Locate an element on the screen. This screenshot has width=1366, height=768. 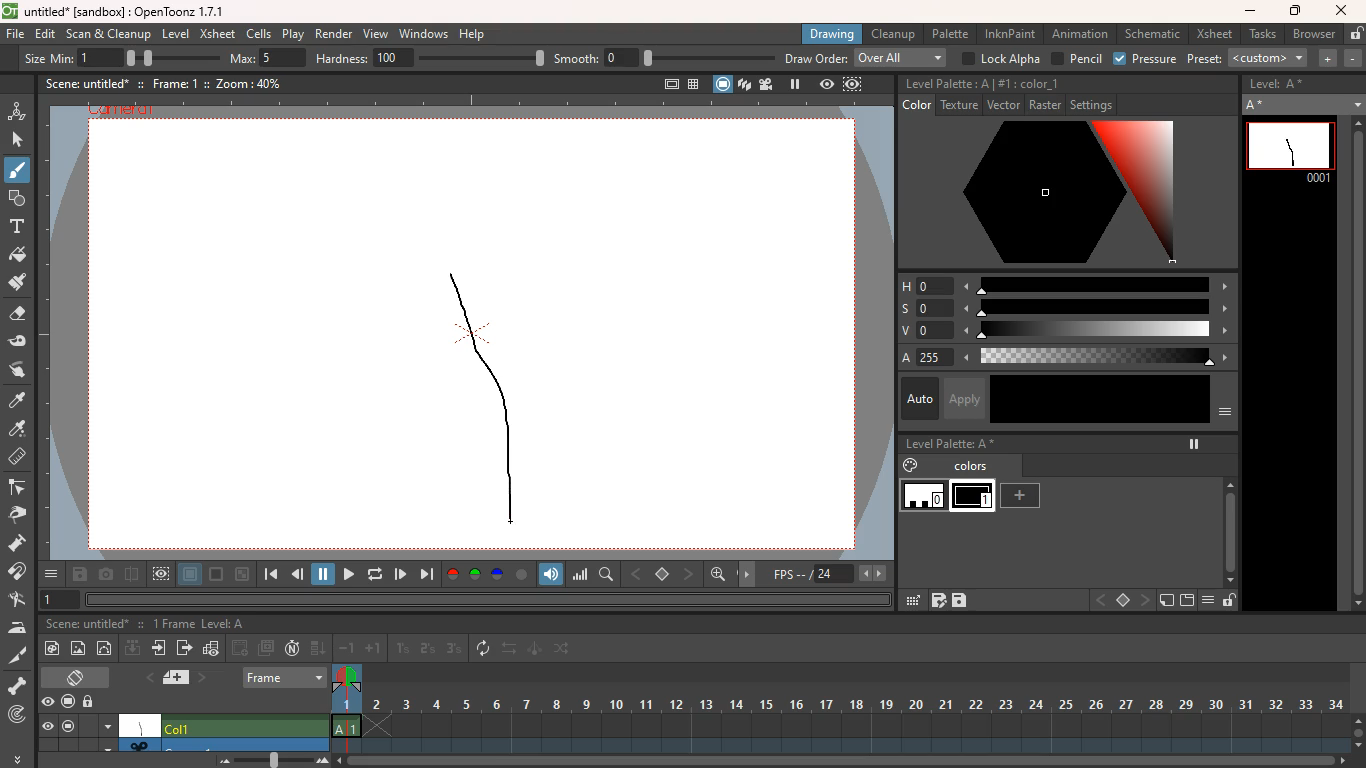
layers is located at coordinates (744, 86).